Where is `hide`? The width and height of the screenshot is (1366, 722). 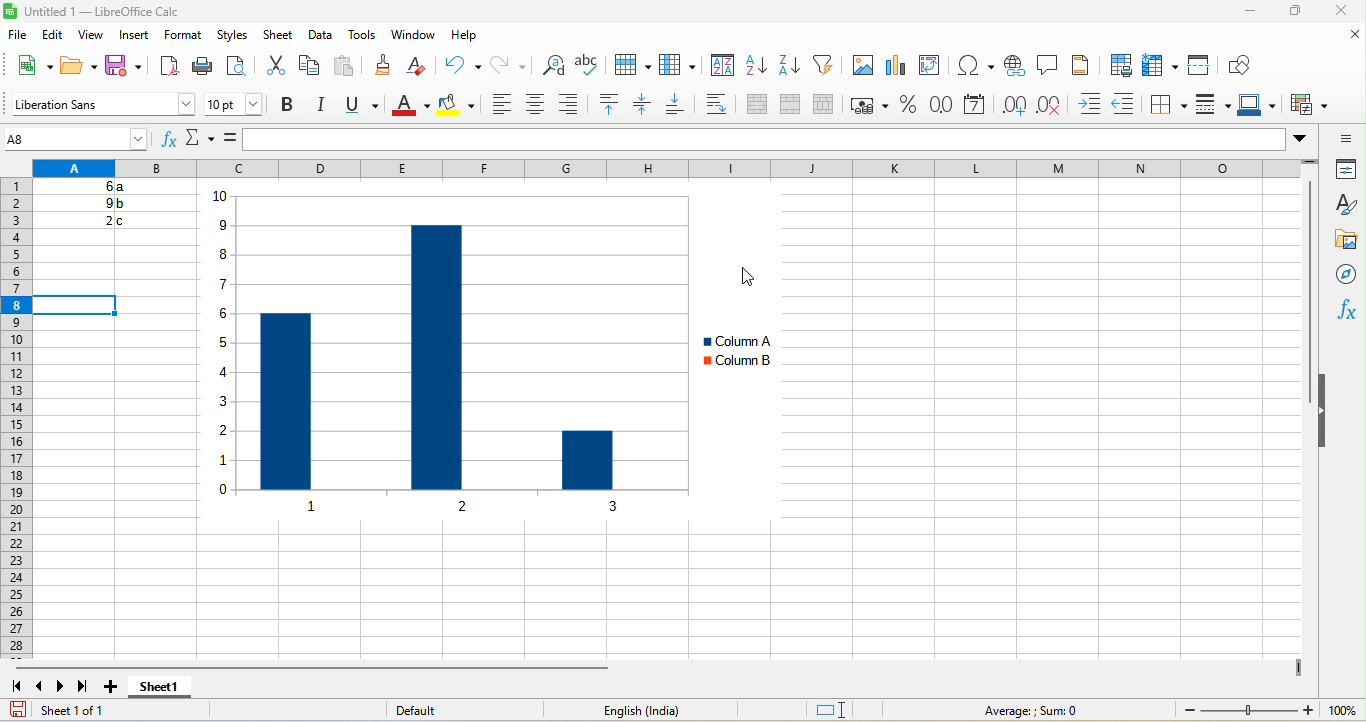 hide is located at coordinates (1325, 408).